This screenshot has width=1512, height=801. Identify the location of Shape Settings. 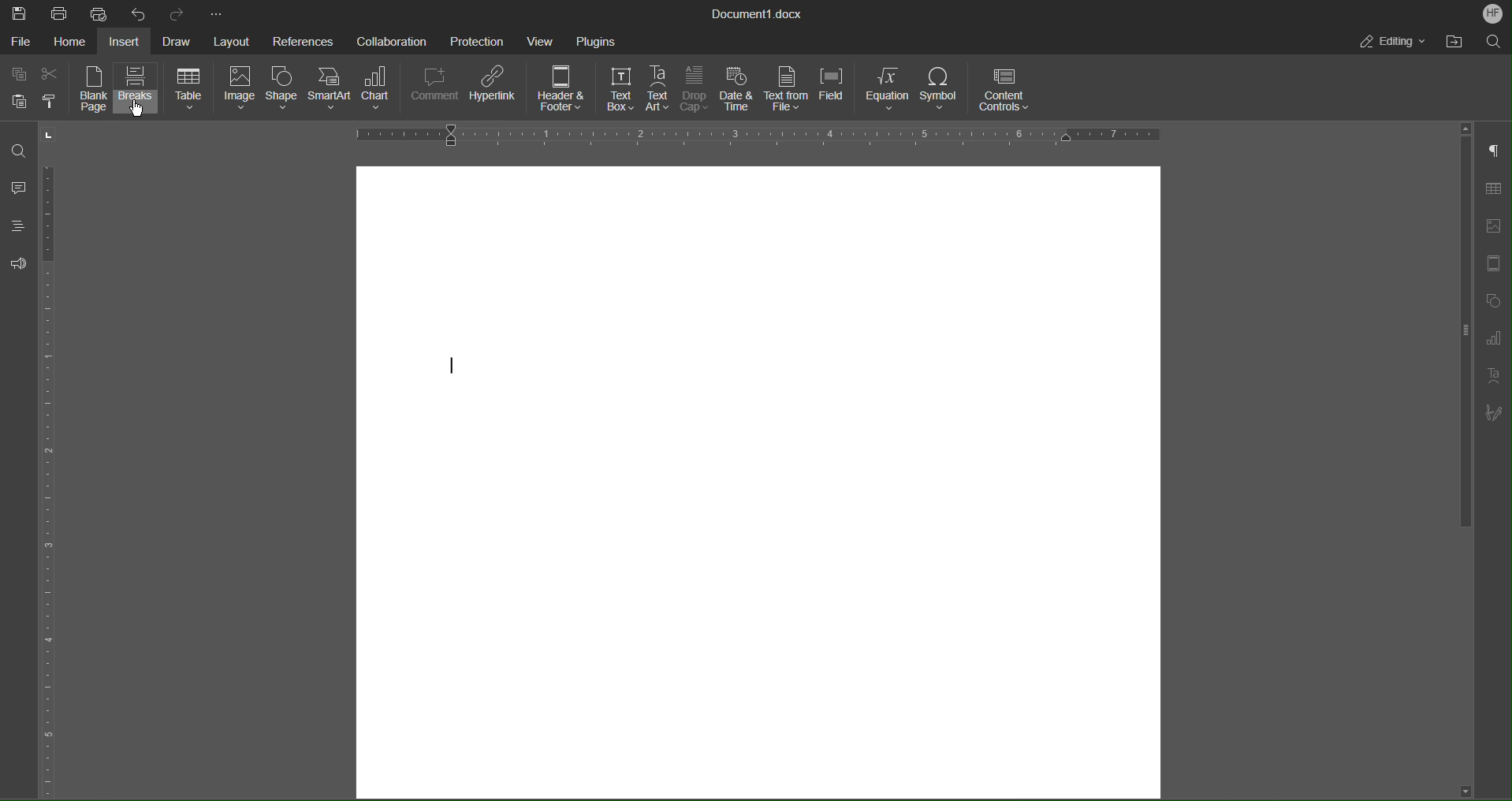
(1493, 302).